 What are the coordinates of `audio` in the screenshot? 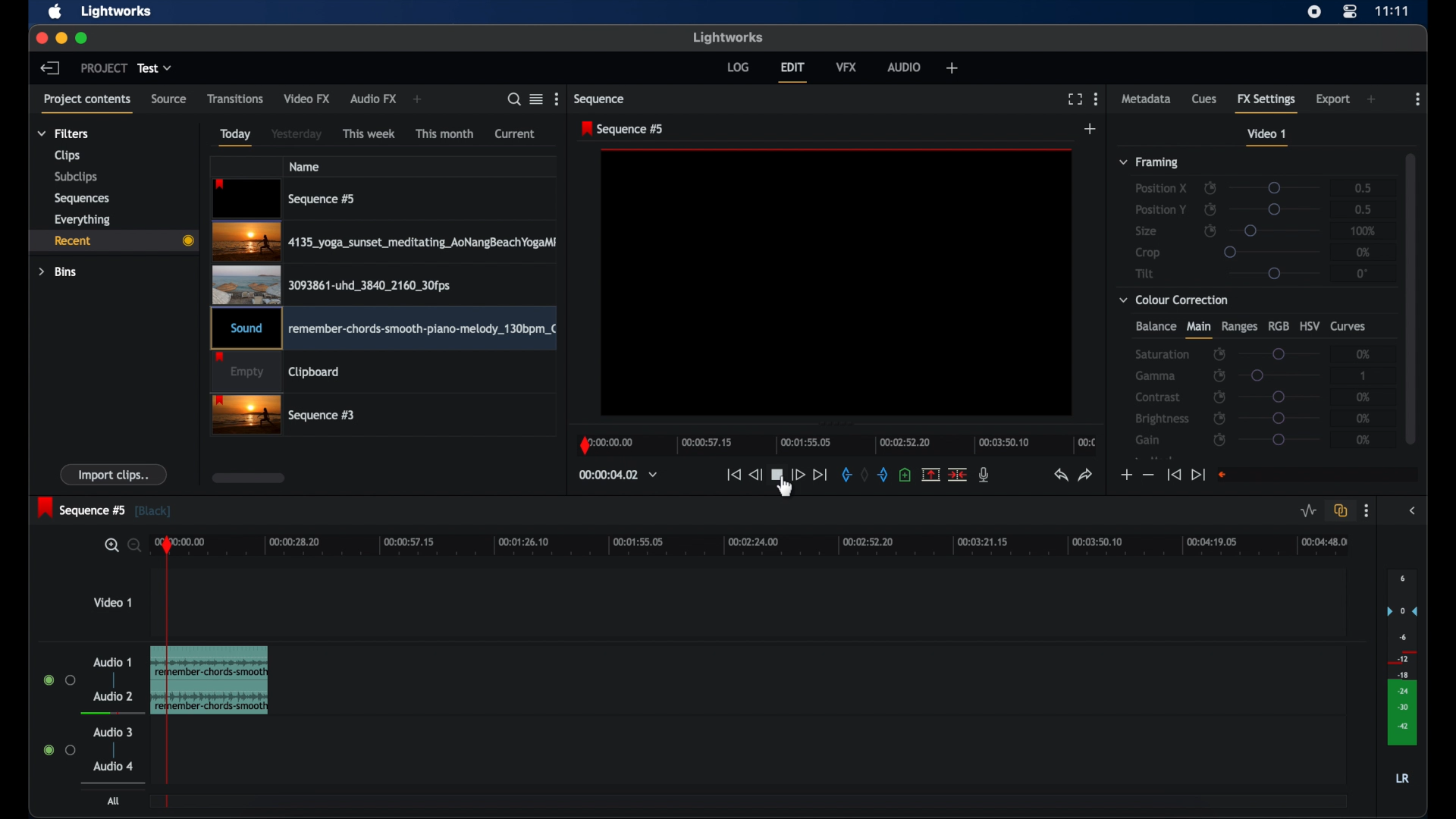 It's located at (113, 766).